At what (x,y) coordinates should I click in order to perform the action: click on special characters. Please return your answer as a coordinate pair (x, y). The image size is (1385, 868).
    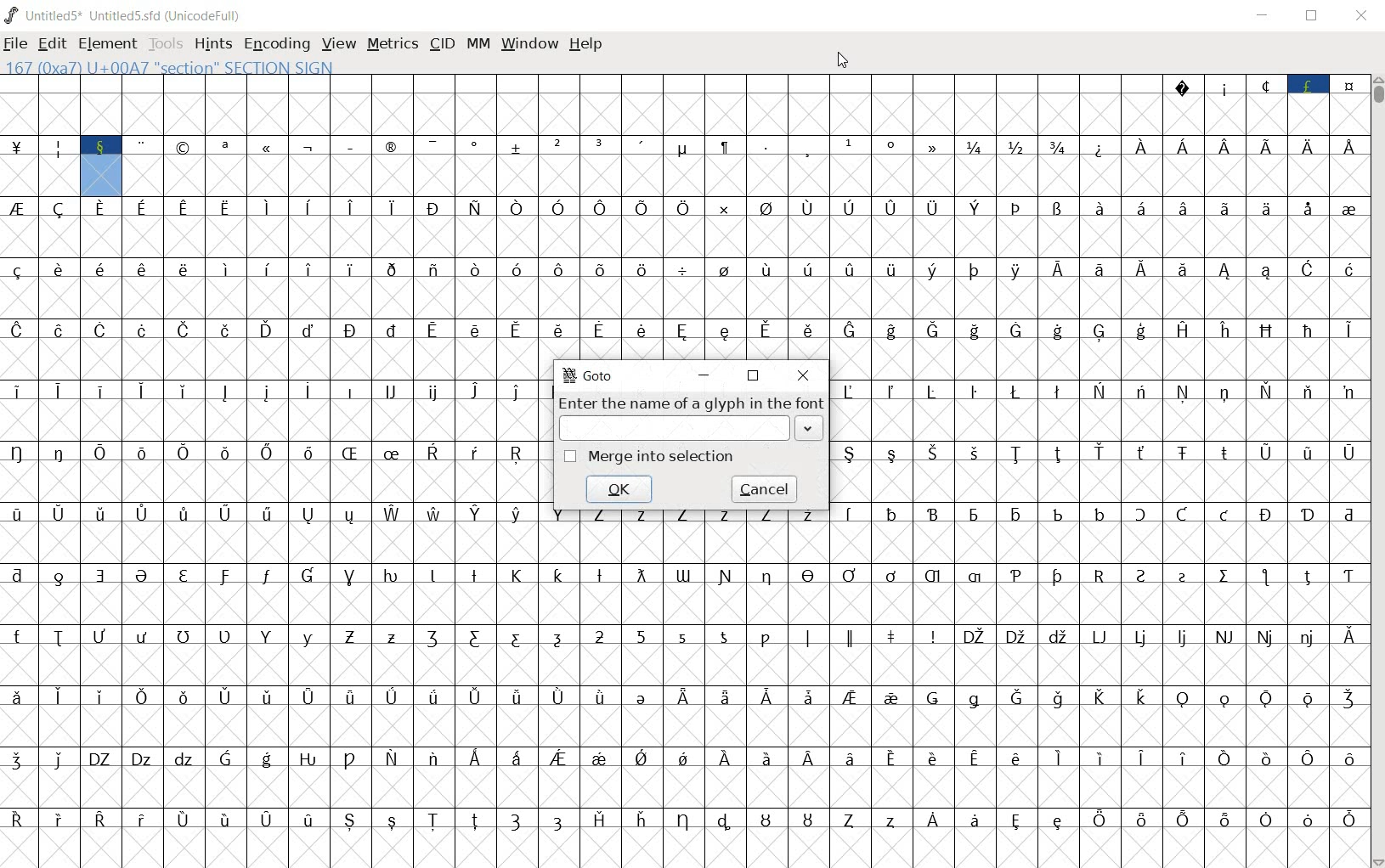
    Looking at the image, I should click on (1099, 166).